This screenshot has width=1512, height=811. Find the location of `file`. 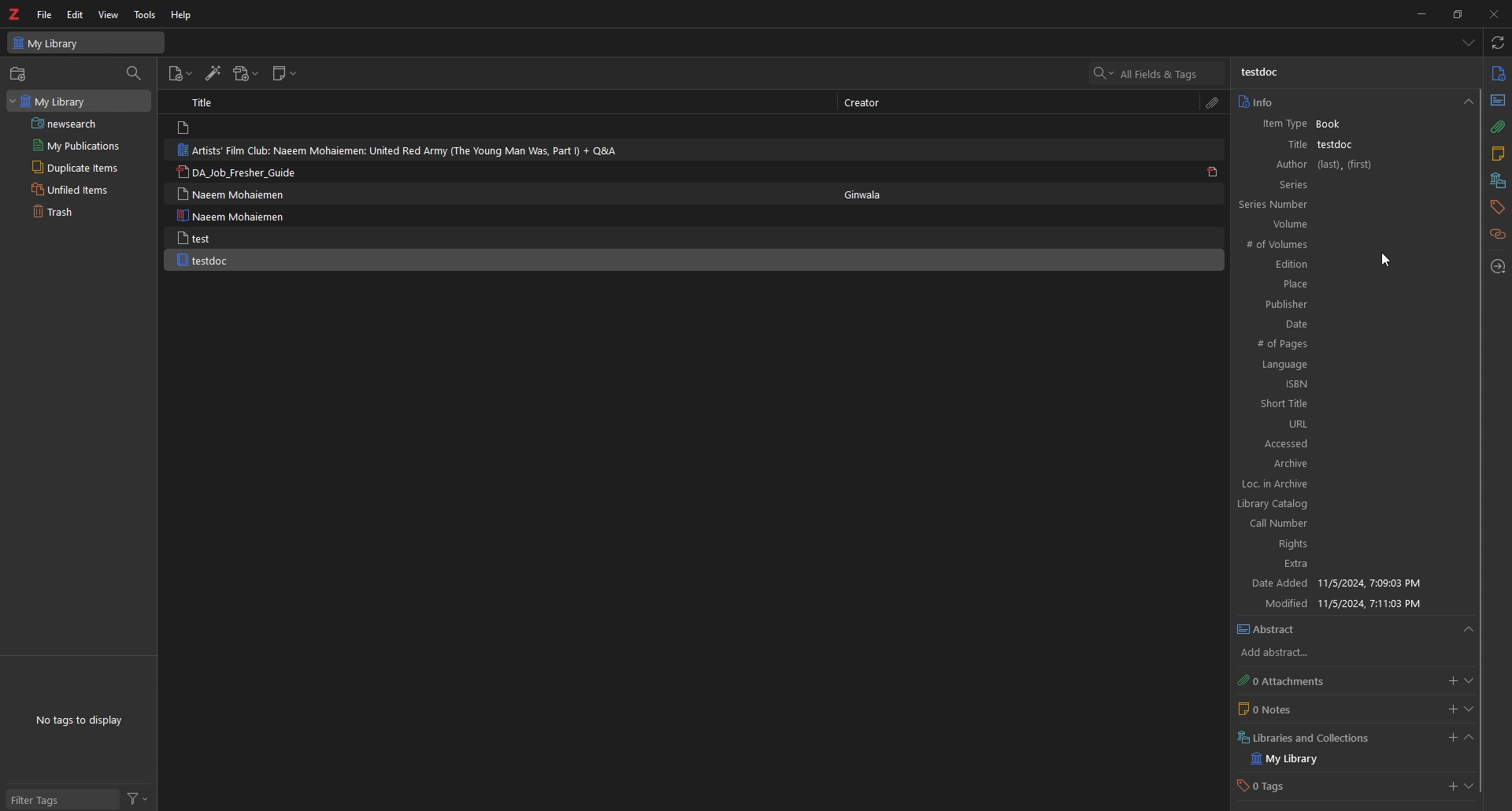

file is located at coordinates (45, 14).